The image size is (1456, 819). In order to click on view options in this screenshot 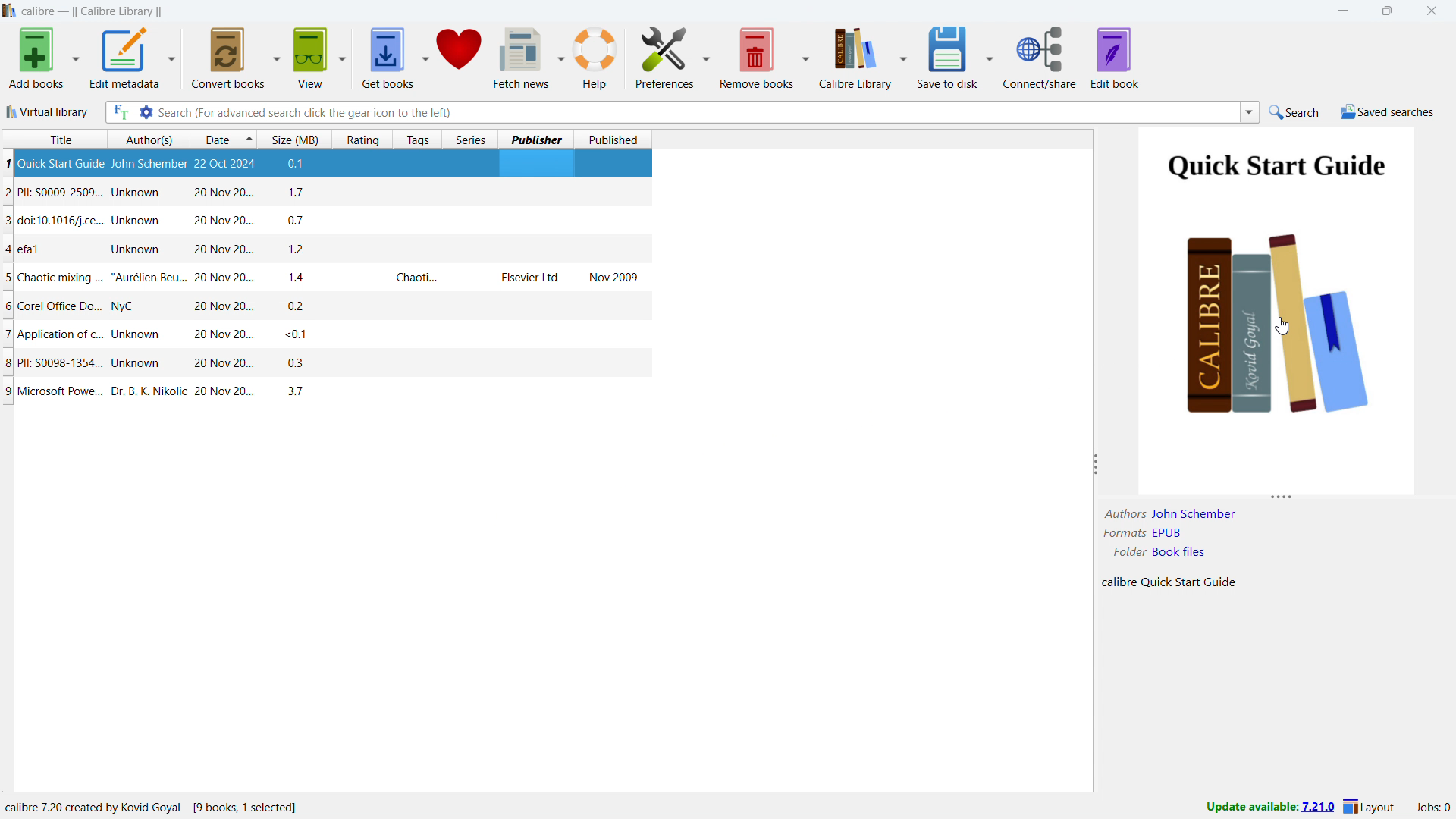, I will do `click(342, 58)`.